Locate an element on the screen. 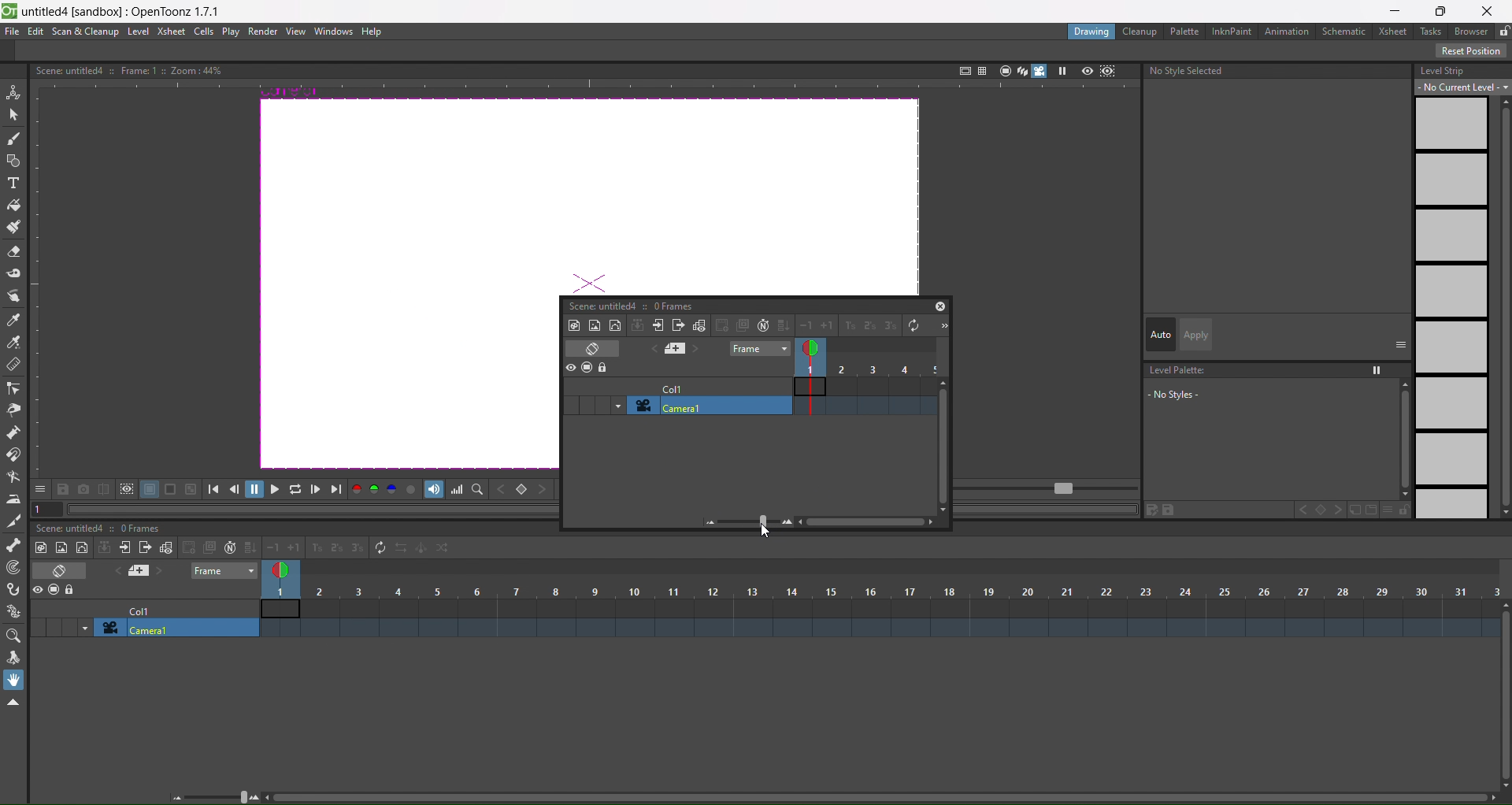  soundtrack is located at coordinates (435, 489).